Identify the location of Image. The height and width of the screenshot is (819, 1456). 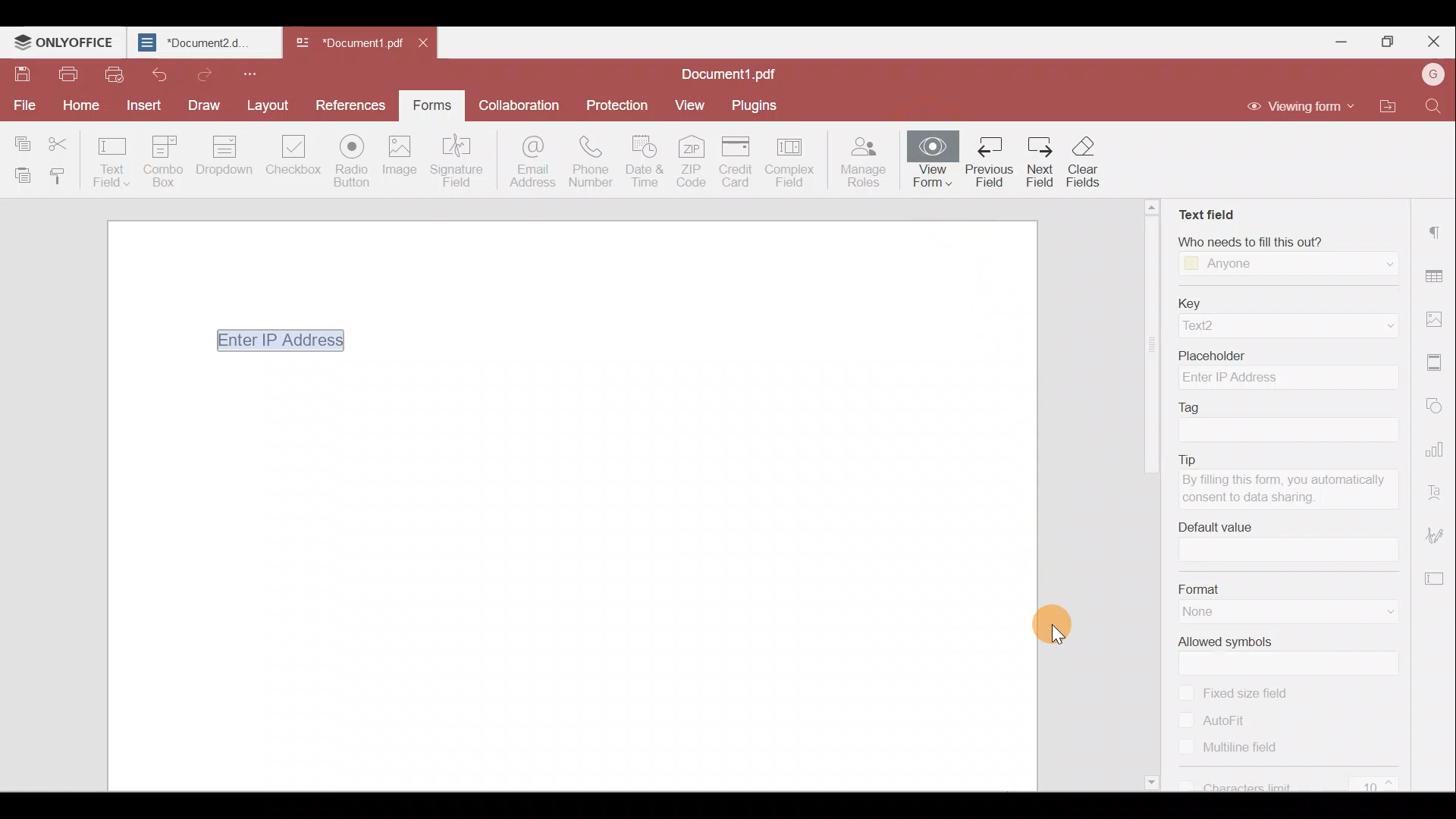
(406, 161).